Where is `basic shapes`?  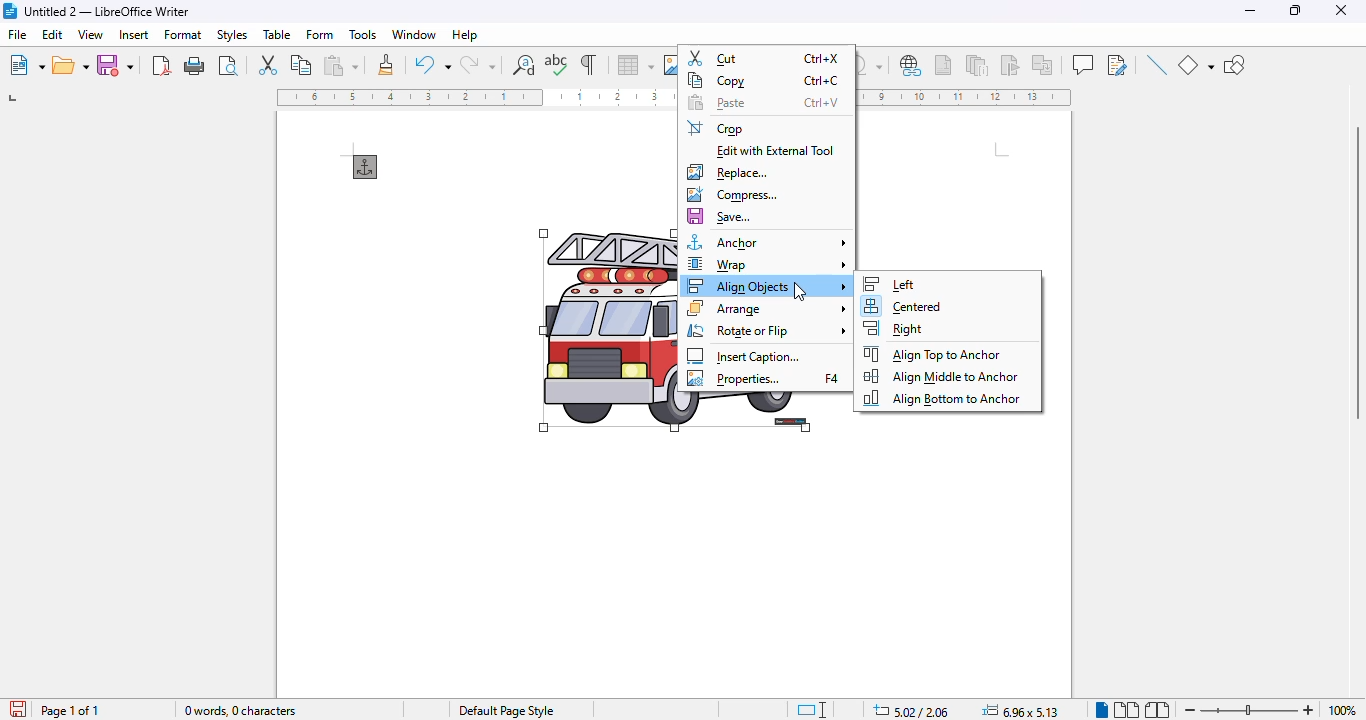
basic shapes is located at coordinates (1195, 65).